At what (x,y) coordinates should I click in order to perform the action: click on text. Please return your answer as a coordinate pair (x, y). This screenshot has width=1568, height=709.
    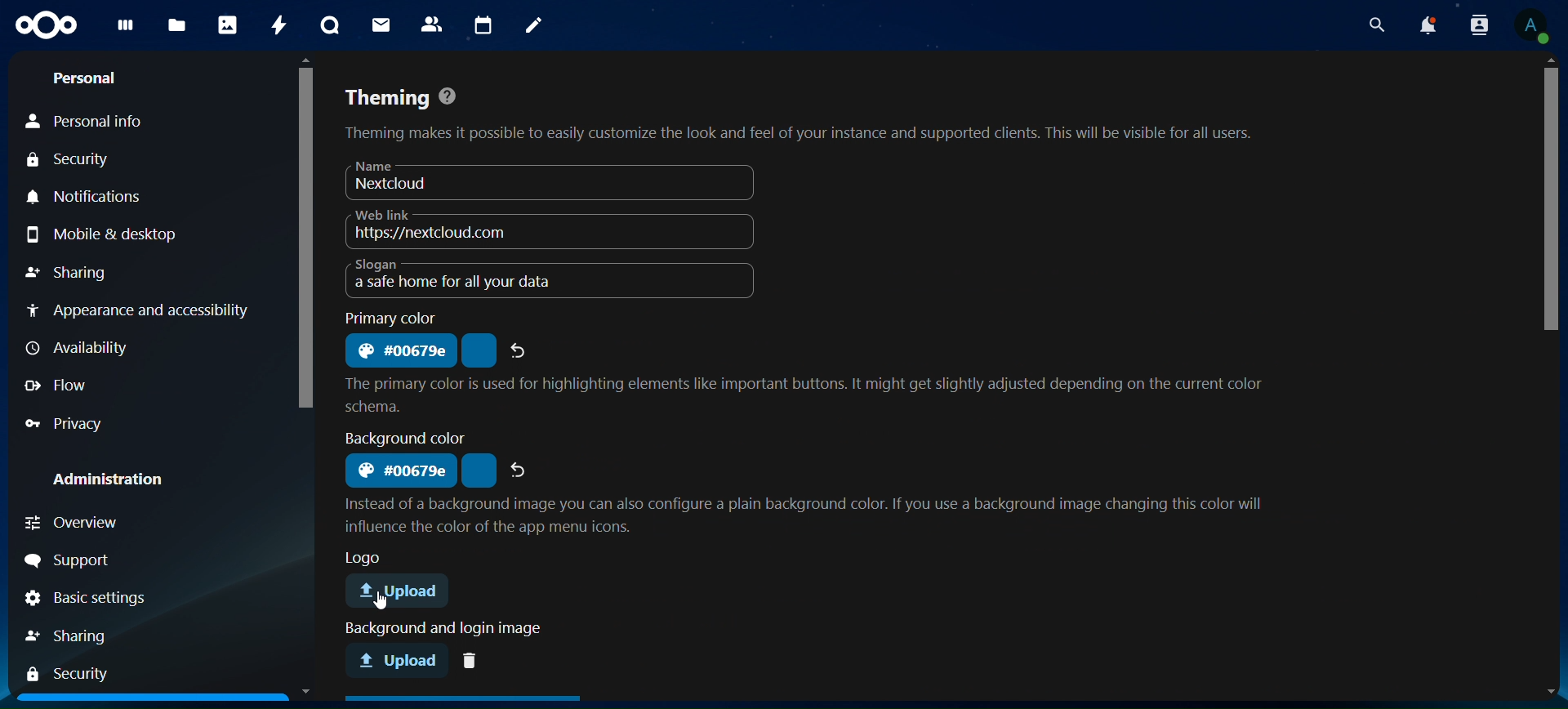
    Looking at the image, I should click on (810, 514).